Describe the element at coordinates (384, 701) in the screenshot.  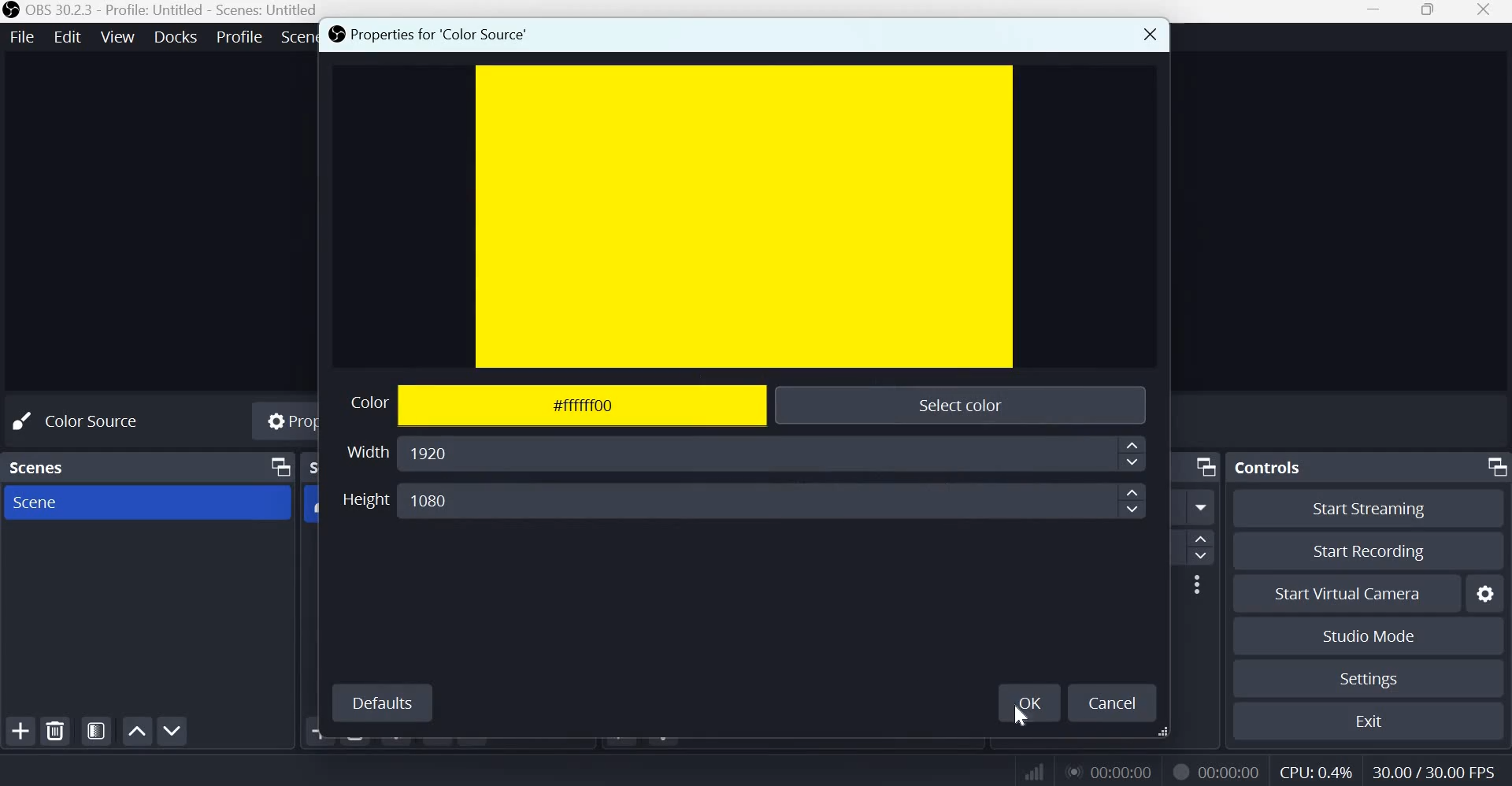
I see `Defaults` at that location.